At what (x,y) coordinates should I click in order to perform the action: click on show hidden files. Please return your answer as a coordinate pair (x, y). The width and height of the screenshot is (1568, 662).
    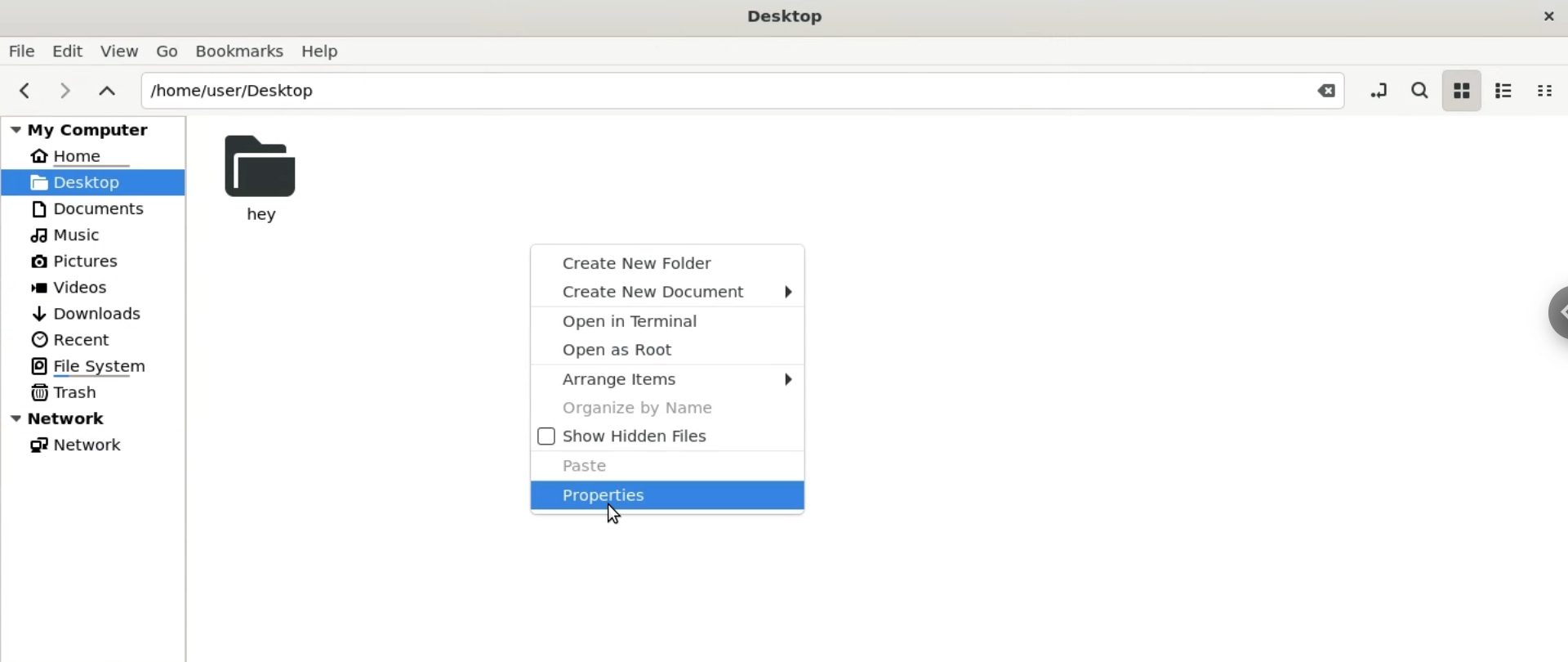
    Looking at the image, I should click on (669, 436).